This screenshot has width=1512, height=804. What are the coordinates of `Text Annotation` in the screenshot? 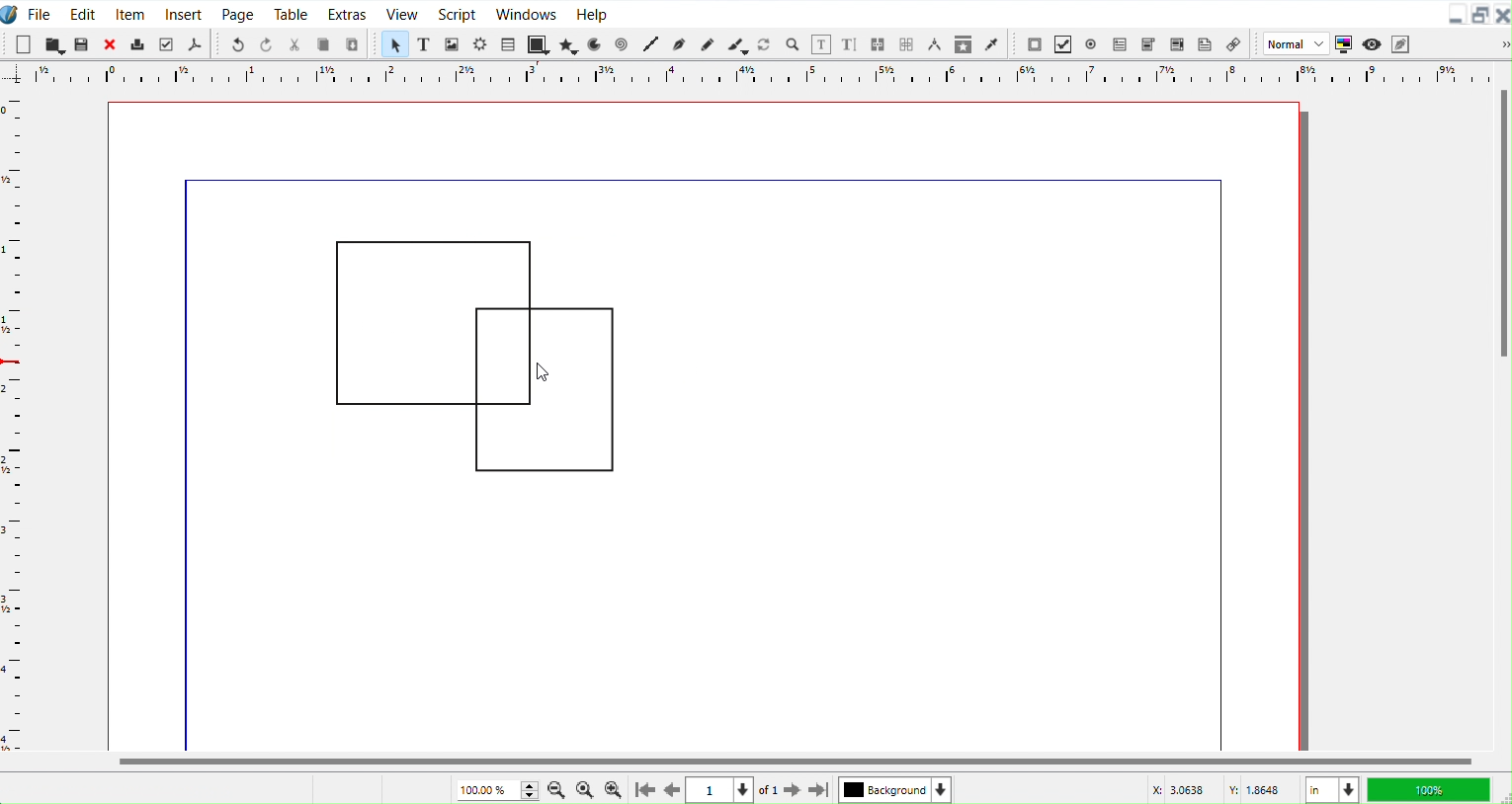 It's located at (1205, 42).